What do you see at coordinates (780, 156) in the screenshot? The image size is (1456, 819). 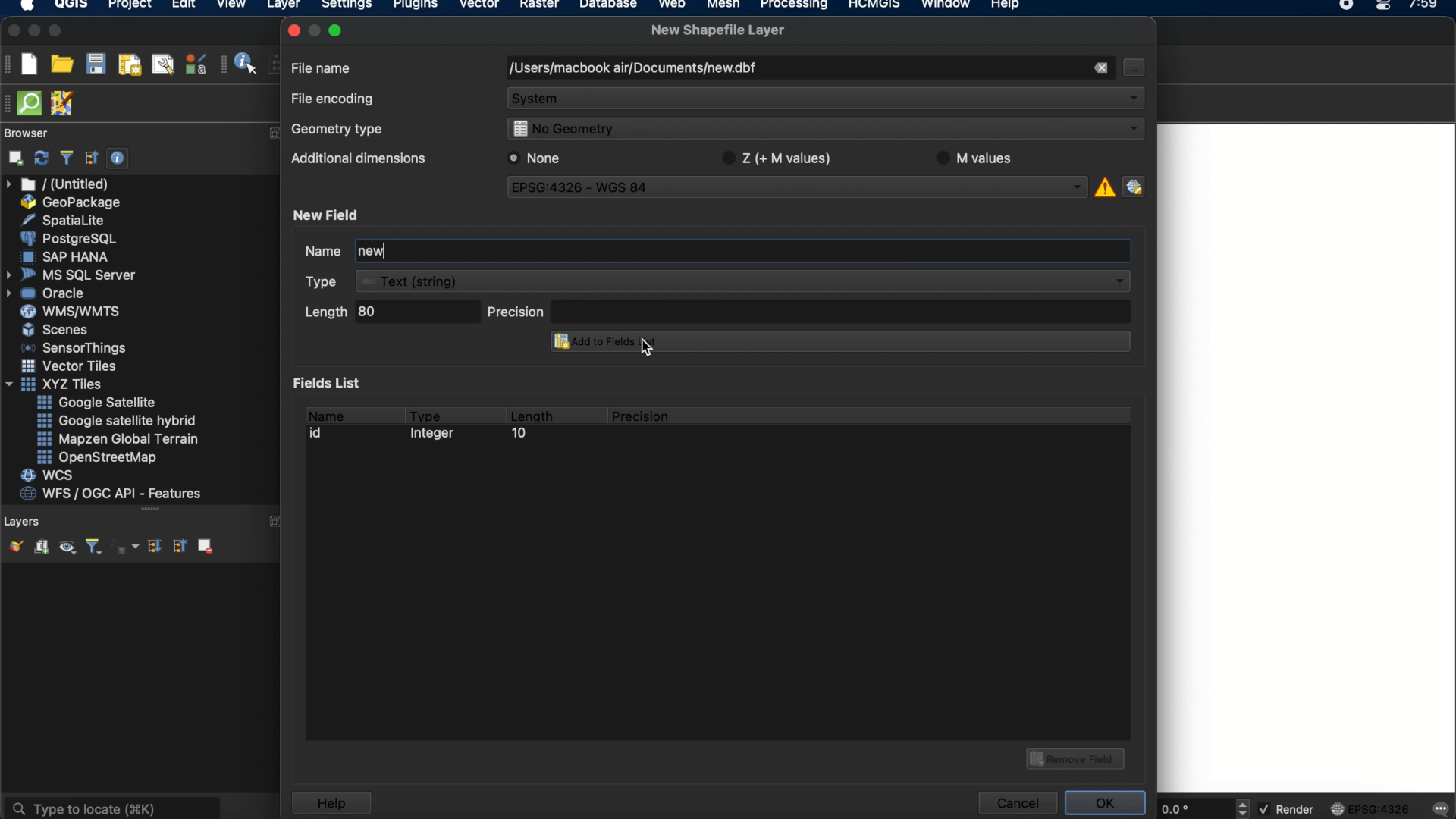 I see `Z (+ M values)` at bounding box center [780, 156].